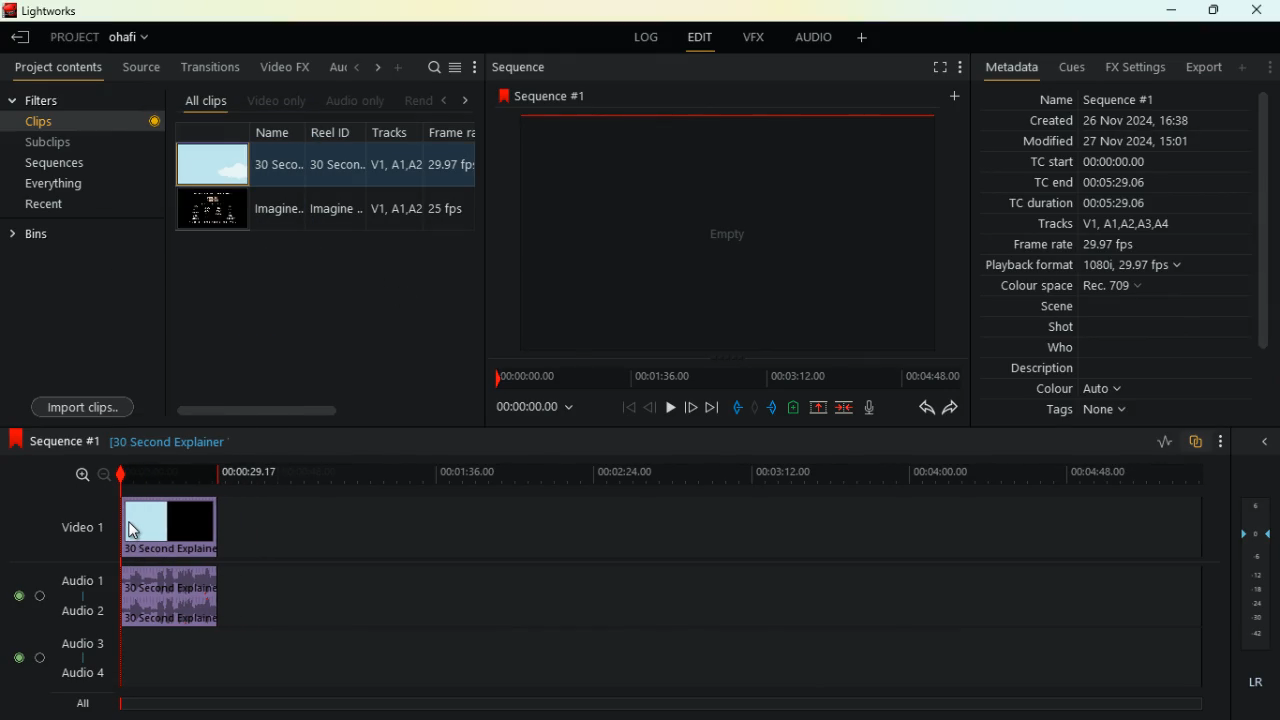  What do you see at coordinates (73, 524) in the screenshot?
I see `video` at bounding box center [73, 524].